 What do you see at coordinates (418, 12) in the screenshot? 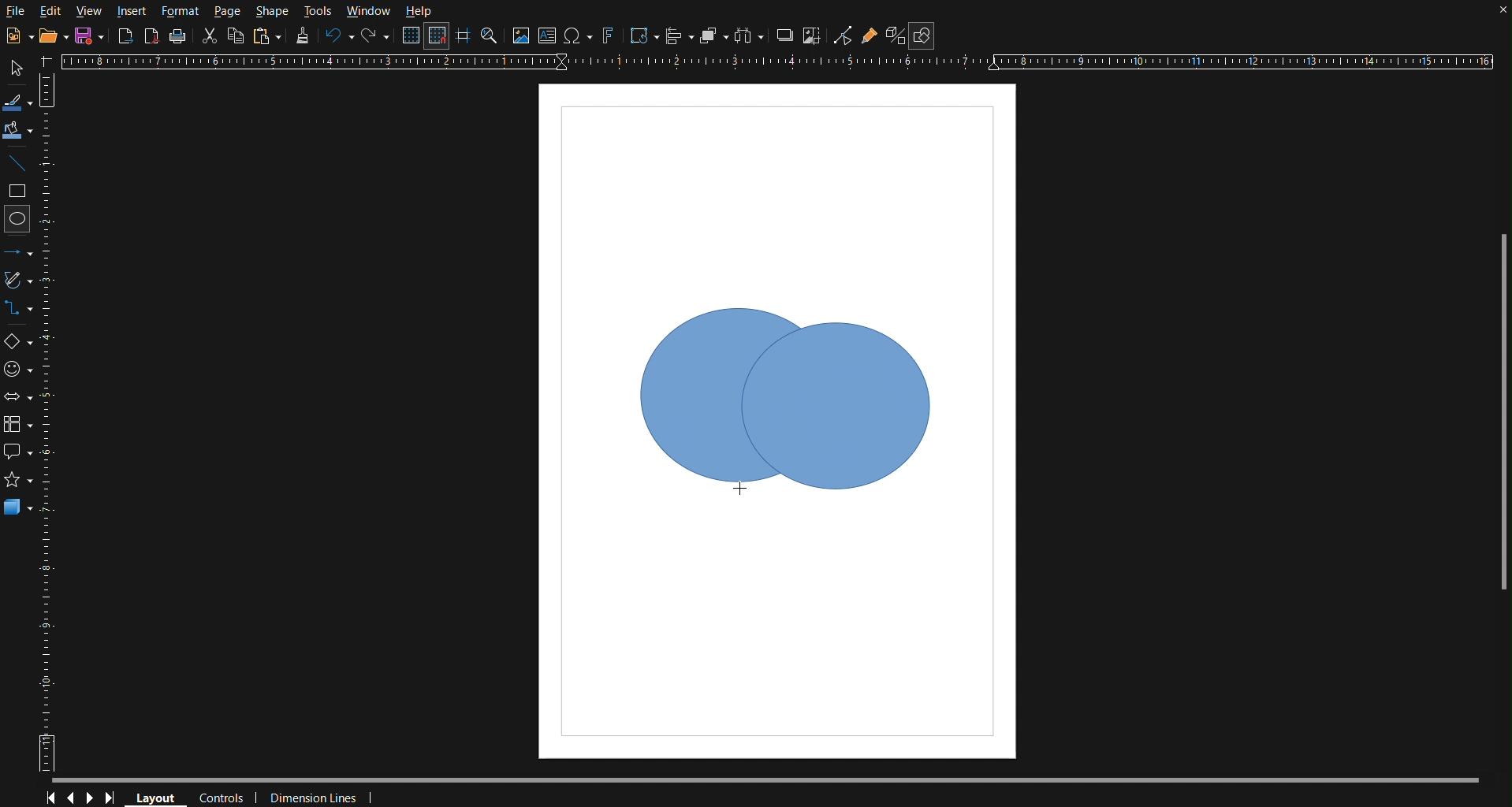
I see `Help` at bounding box center [418, 12].